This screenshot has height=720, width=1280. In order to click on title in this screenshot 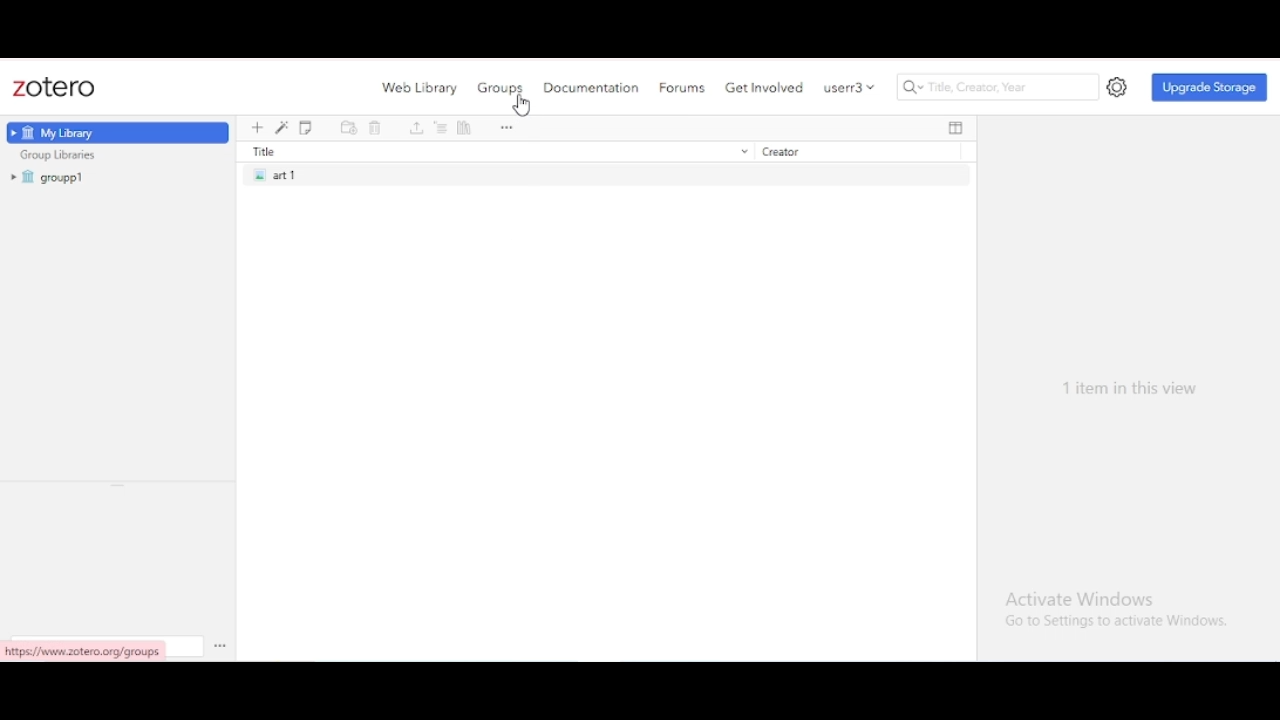, I will do `click(497, 151)`.